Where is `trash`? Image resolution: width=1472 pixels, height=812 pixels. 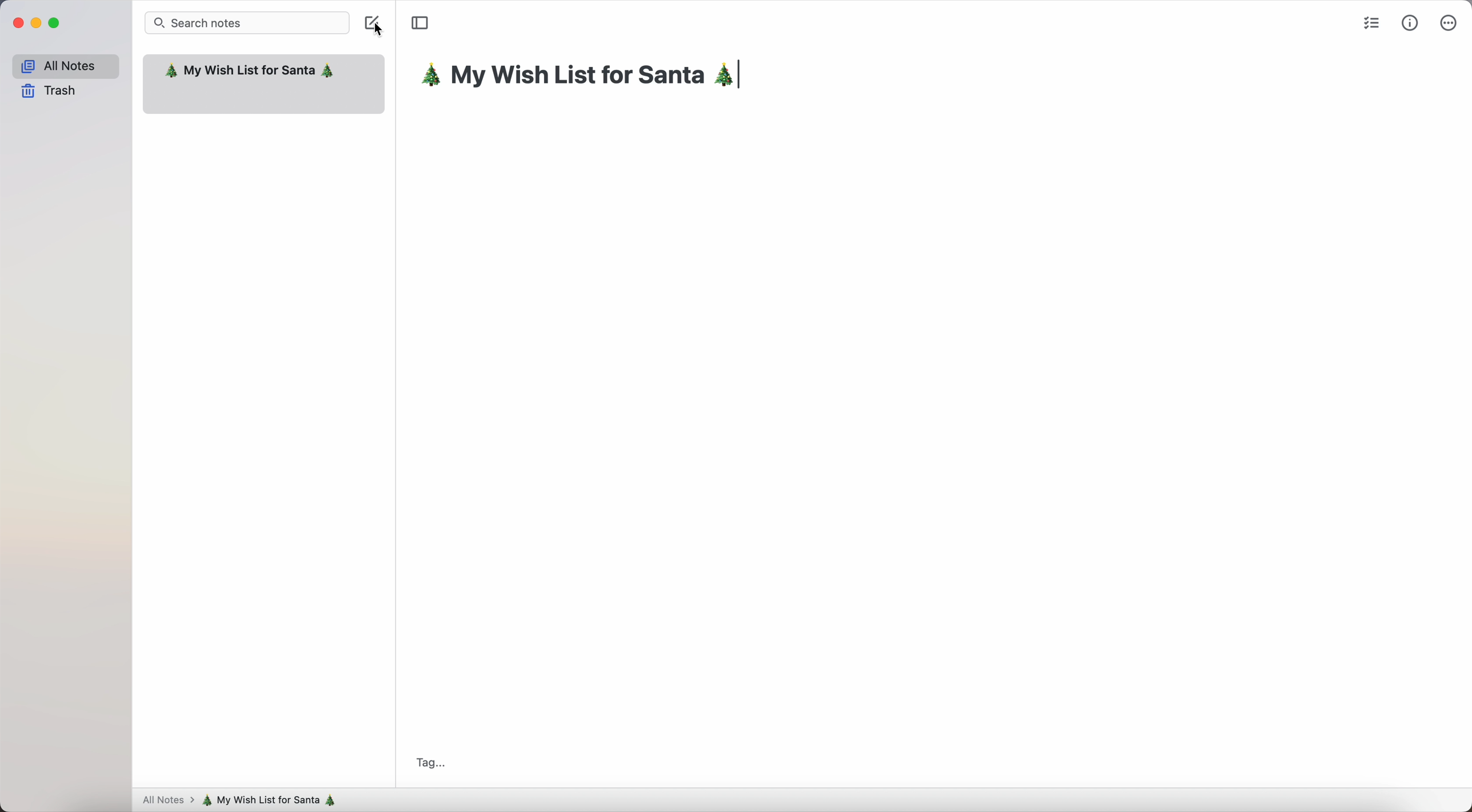
trash is located at coordinates (50, 92).